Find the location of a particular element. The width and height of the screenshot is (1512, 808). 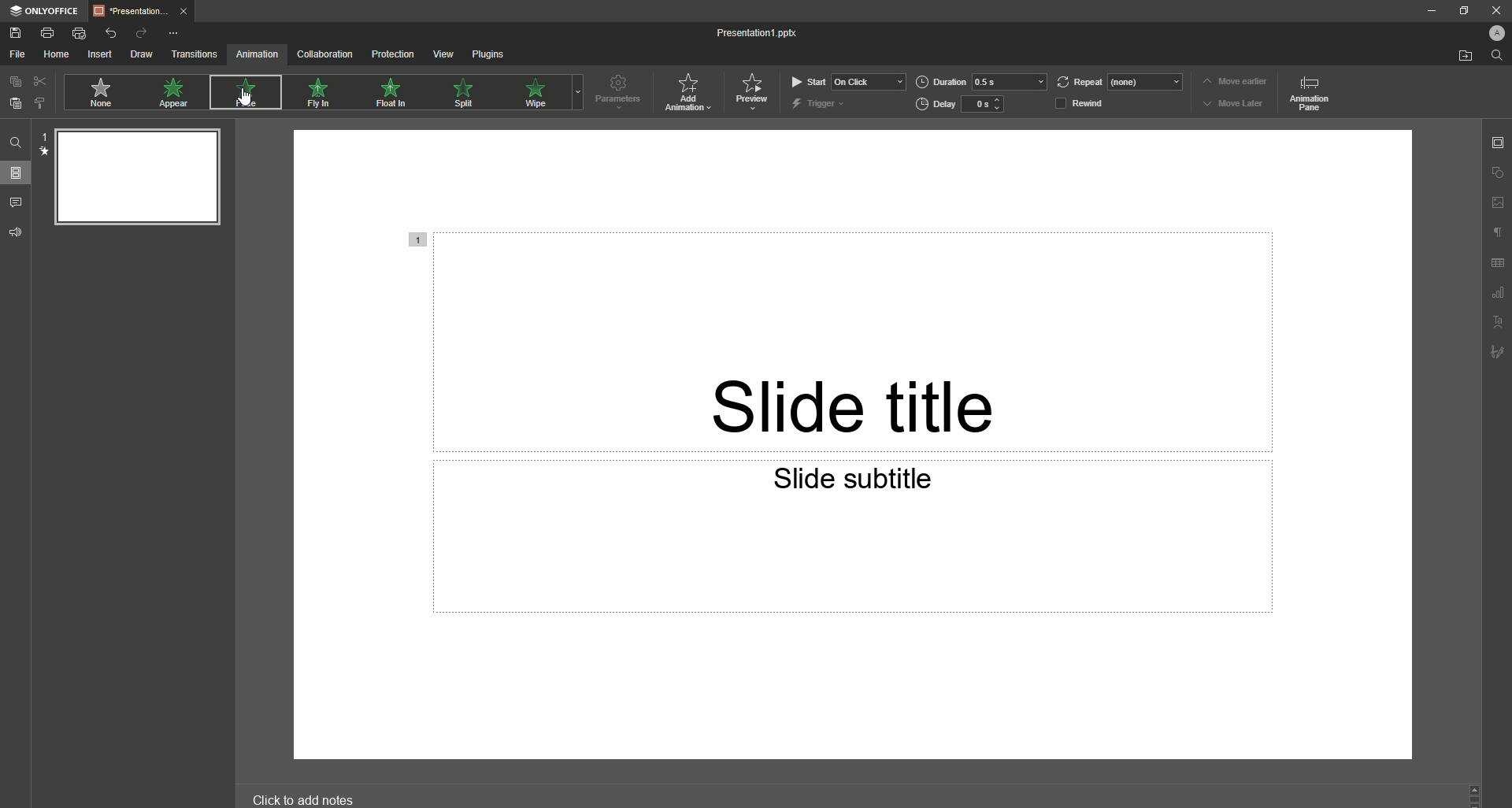

Move Later is located at coordinates (1234, 105).